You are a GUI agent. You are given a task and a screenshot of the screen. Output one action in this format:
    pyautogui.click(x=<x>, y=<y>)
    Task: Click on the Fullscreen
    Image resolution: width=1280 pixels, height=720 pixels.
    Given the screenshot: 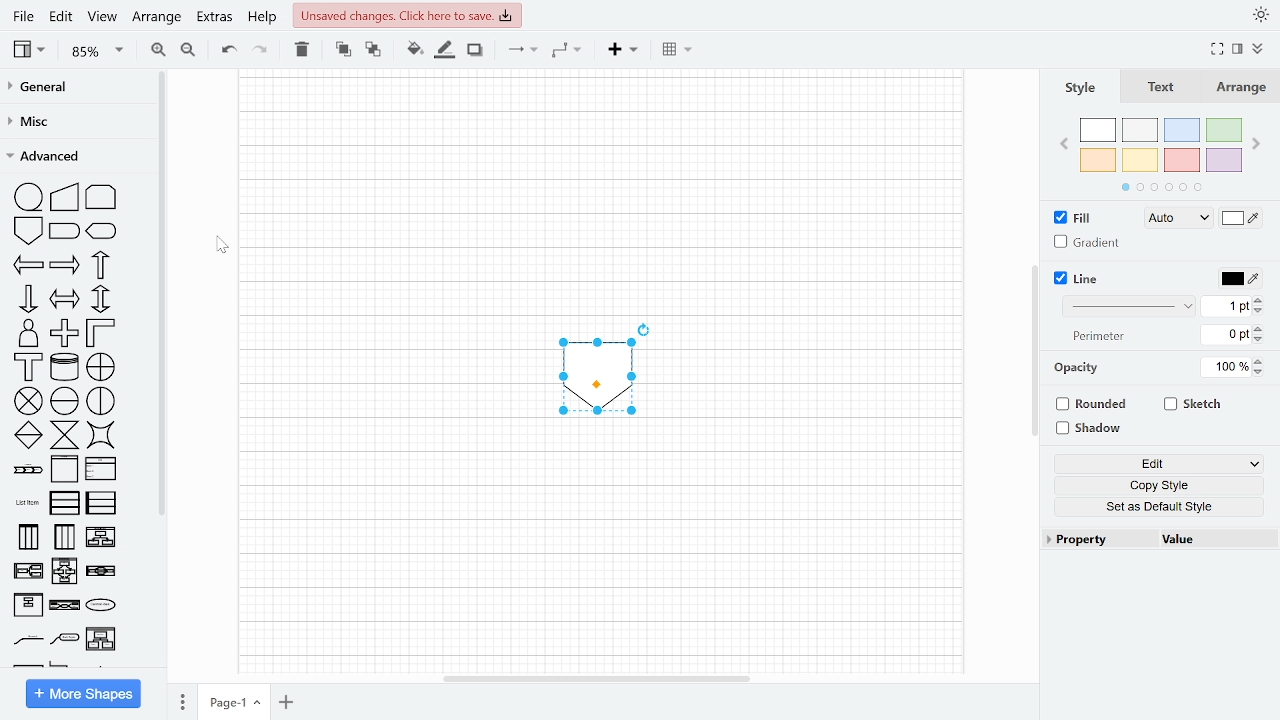 What is the action you would take?
    pyautogui.click(x=1217, y=49)
    